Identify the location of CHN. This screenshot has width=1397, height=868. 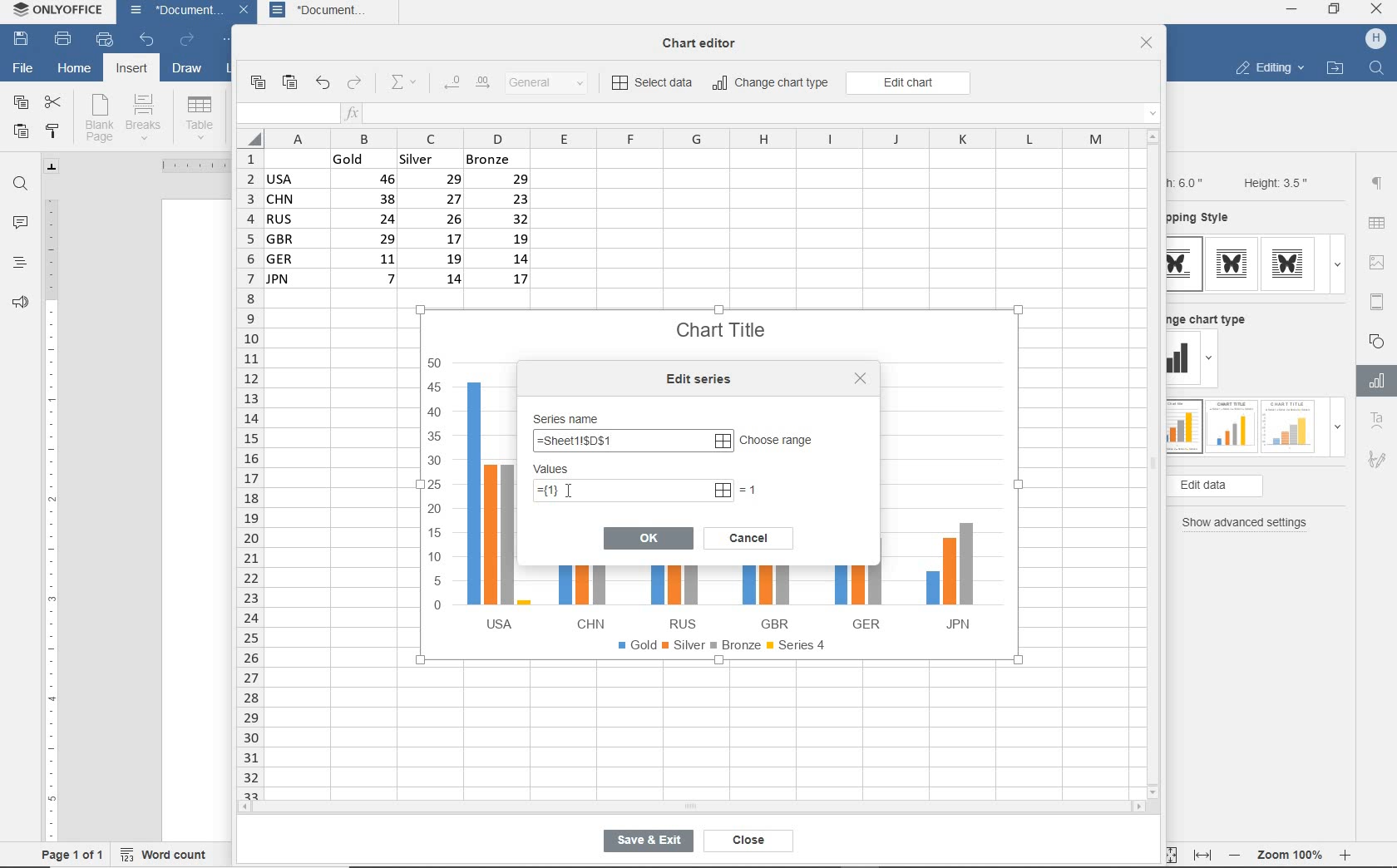
(585, 595).